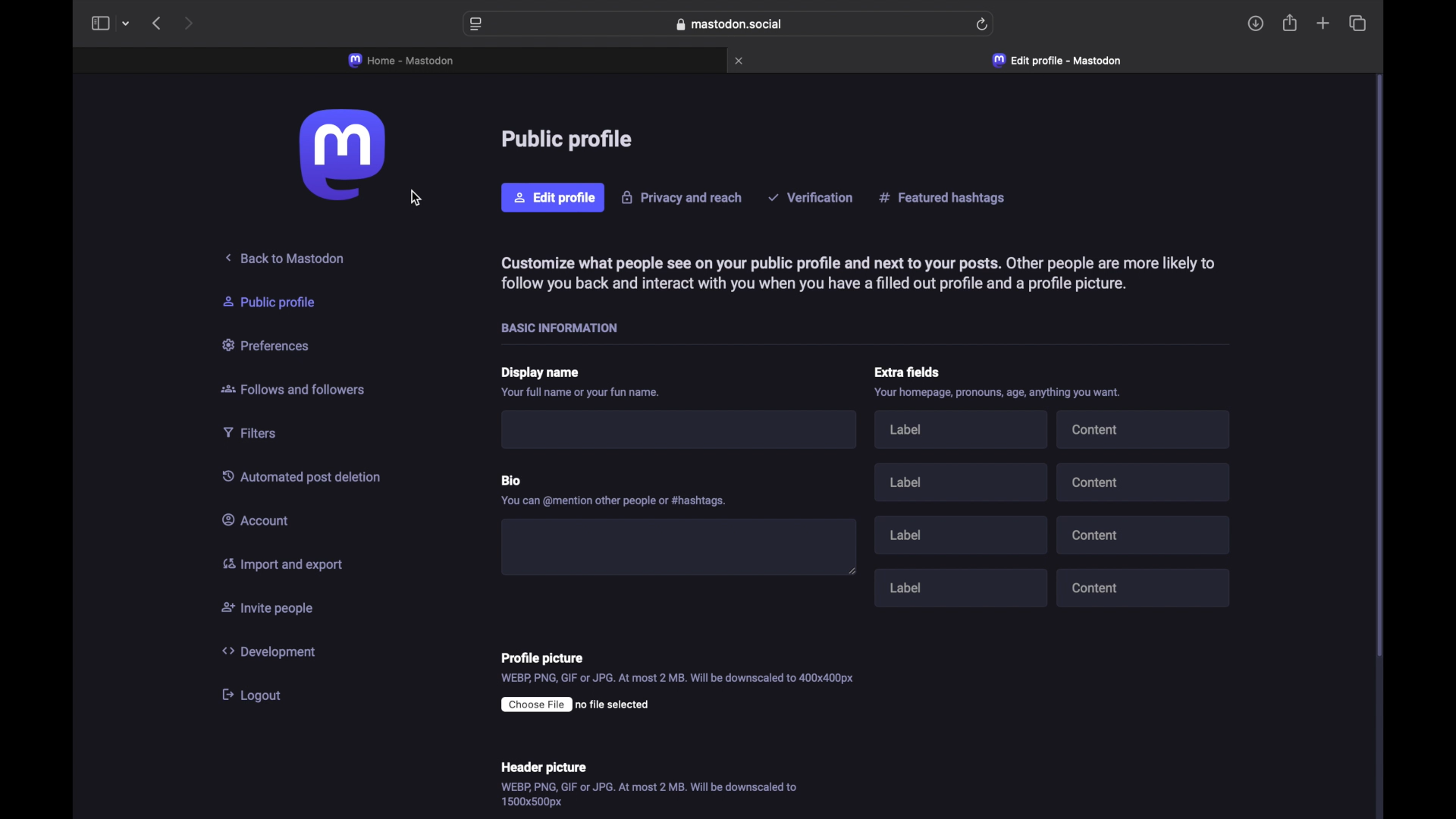 The height and width of the screenshot is (819, 1456). What do you see at coordinates (256, 519) in the screenshot?
I see `account` at bounding box center [256, 519].